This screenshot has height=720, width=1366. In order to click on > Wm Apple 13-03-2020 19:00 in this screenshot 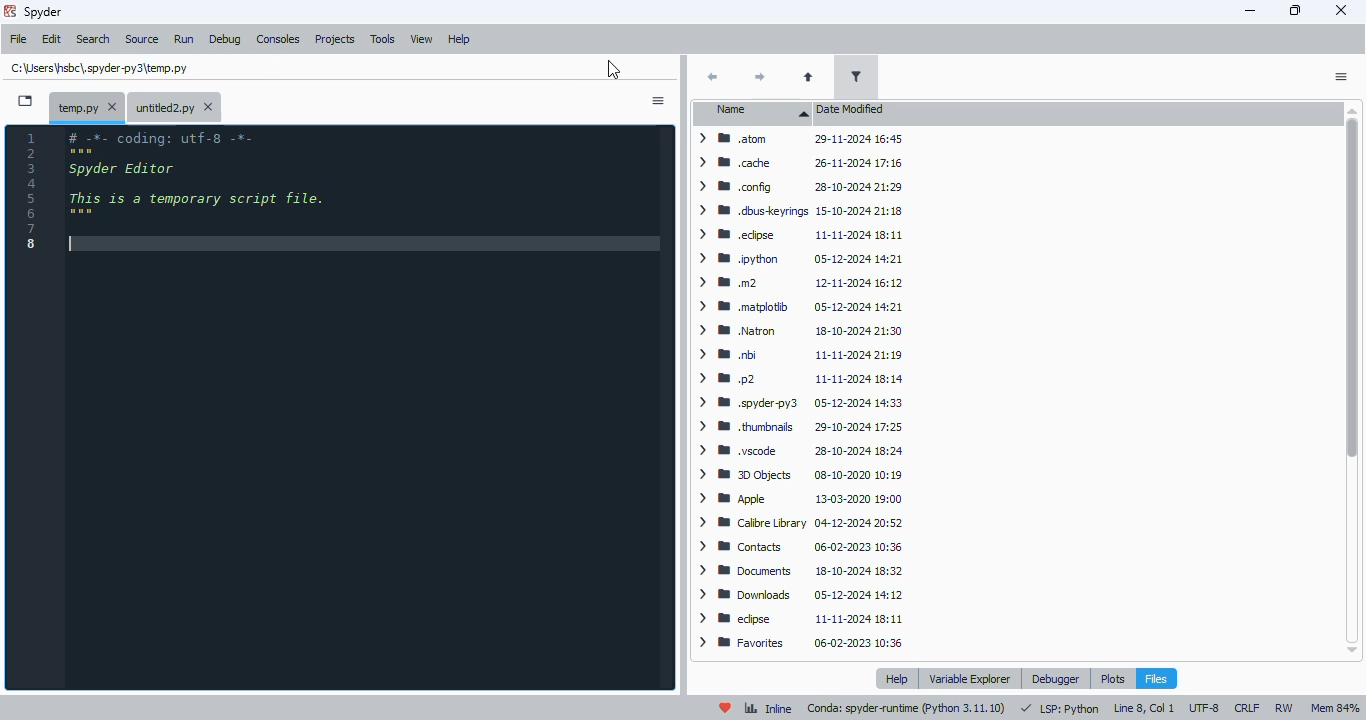, I will do `click(801, 499)`.